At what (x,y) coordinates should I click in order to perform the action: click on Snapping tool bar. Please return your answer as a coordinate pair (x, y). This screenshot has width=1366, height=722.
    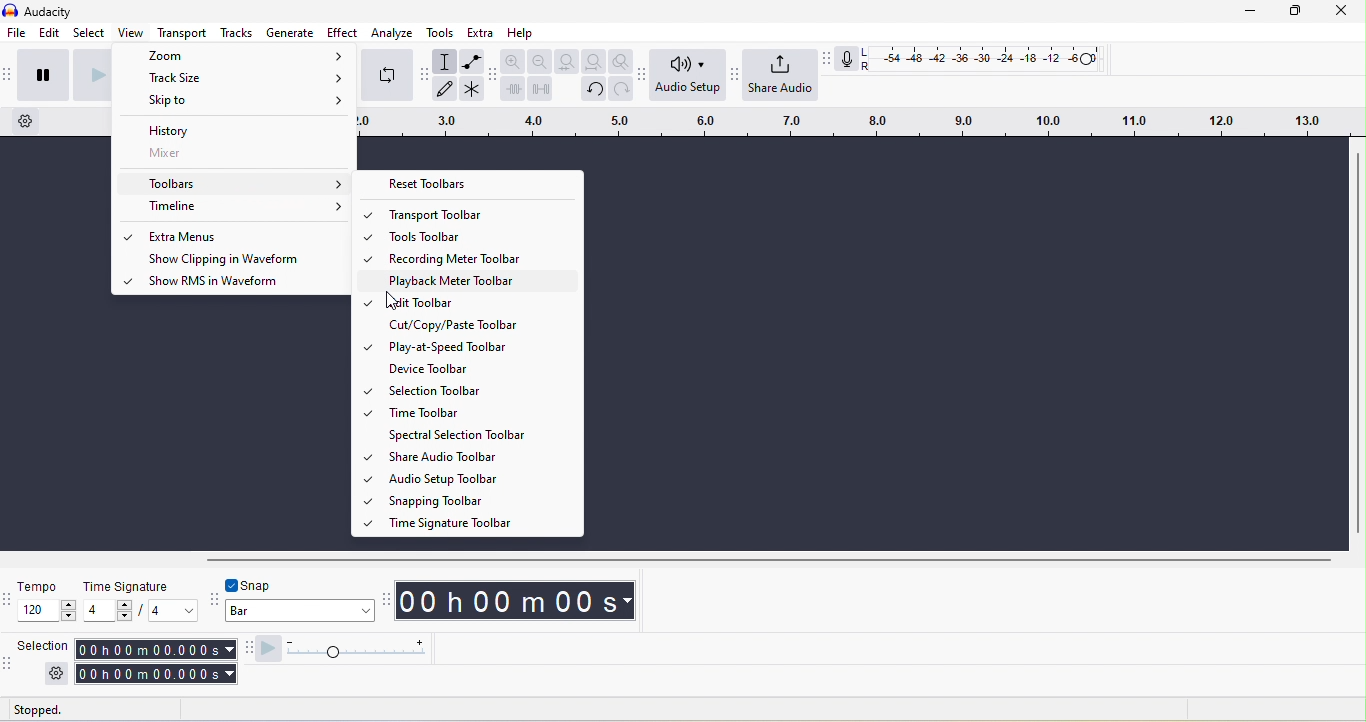
    Looking at the image, I should click on (480, 500).